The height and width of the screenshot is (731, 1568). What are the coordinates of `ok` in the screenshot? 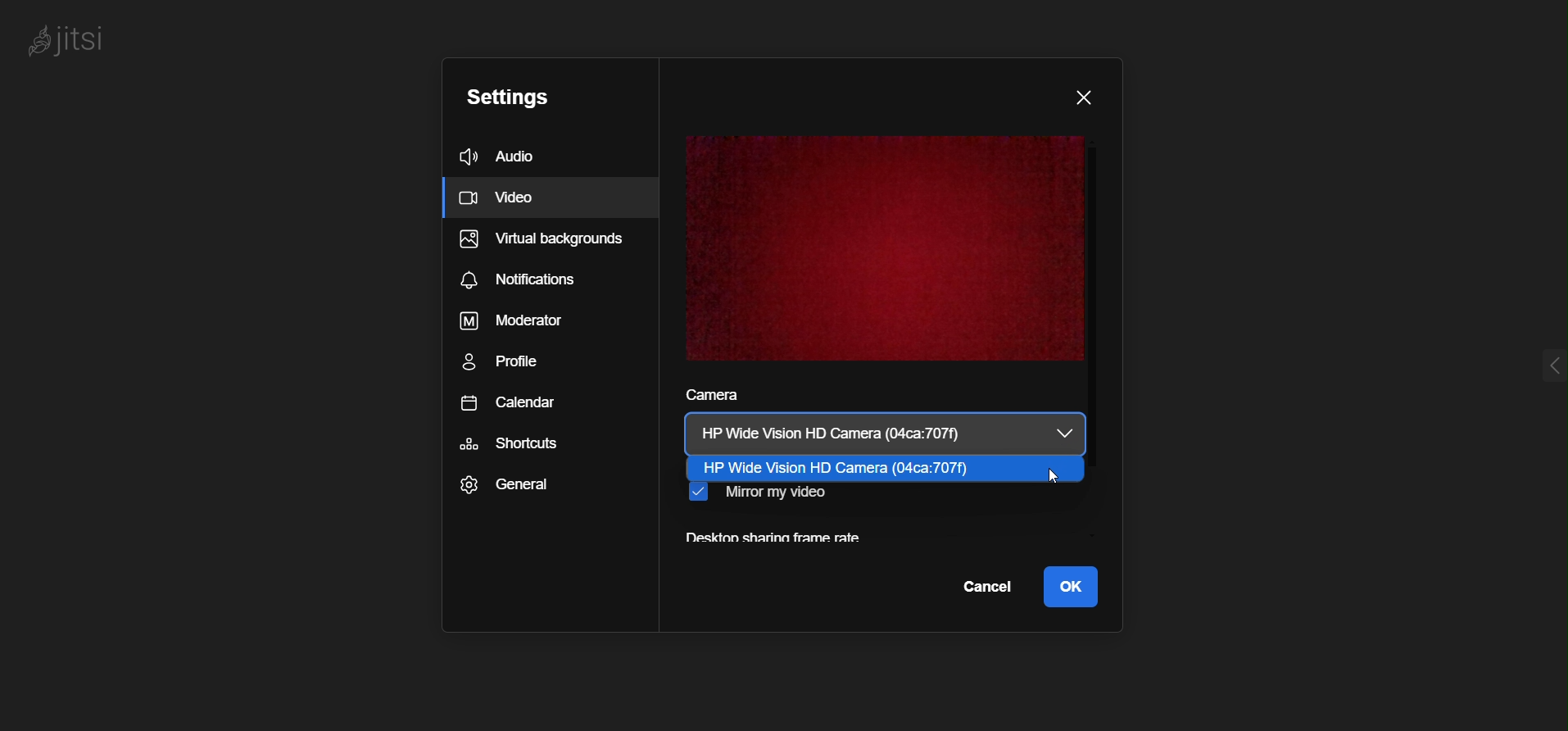 It's located at (1072, 585).